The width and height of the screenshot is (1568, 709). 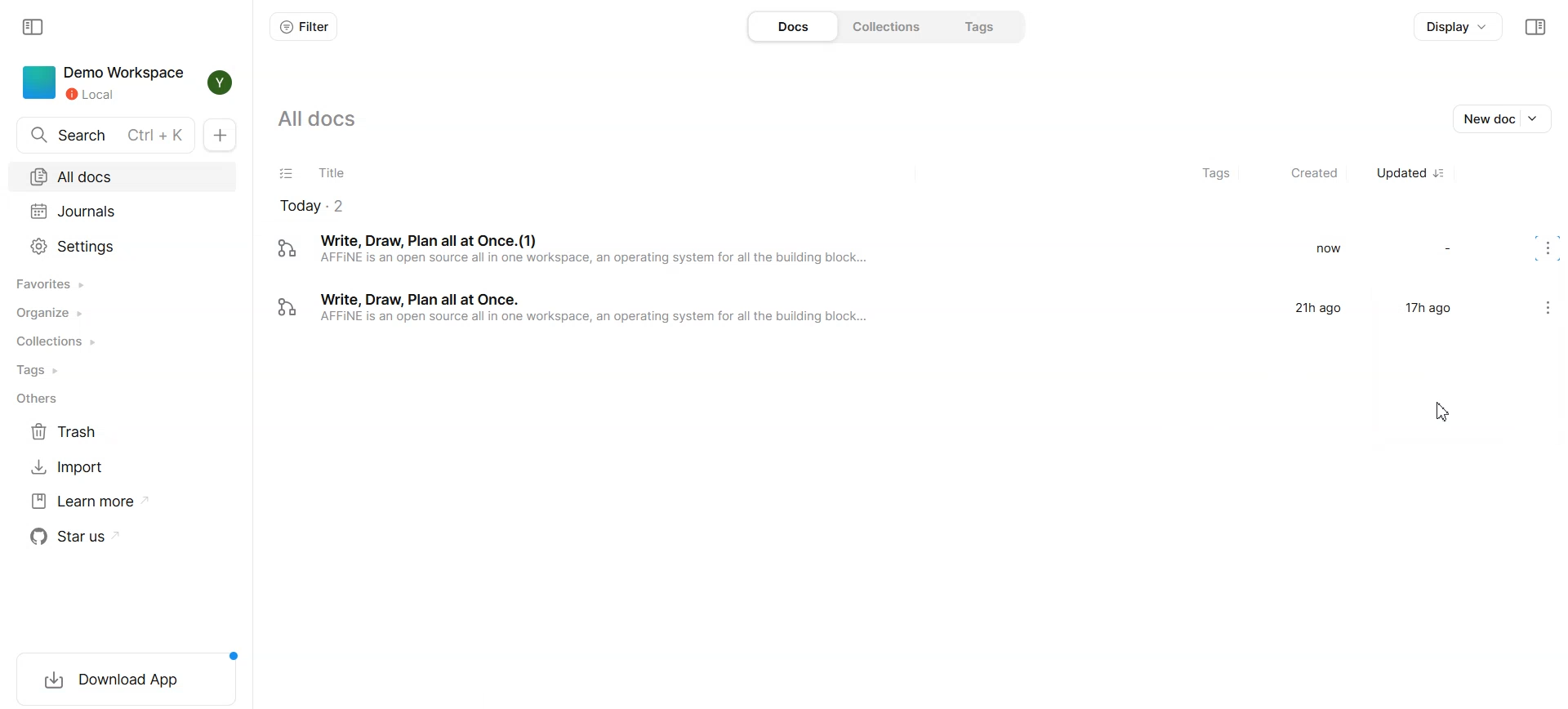 I want to click on more options, so click(x=1545, y=305).